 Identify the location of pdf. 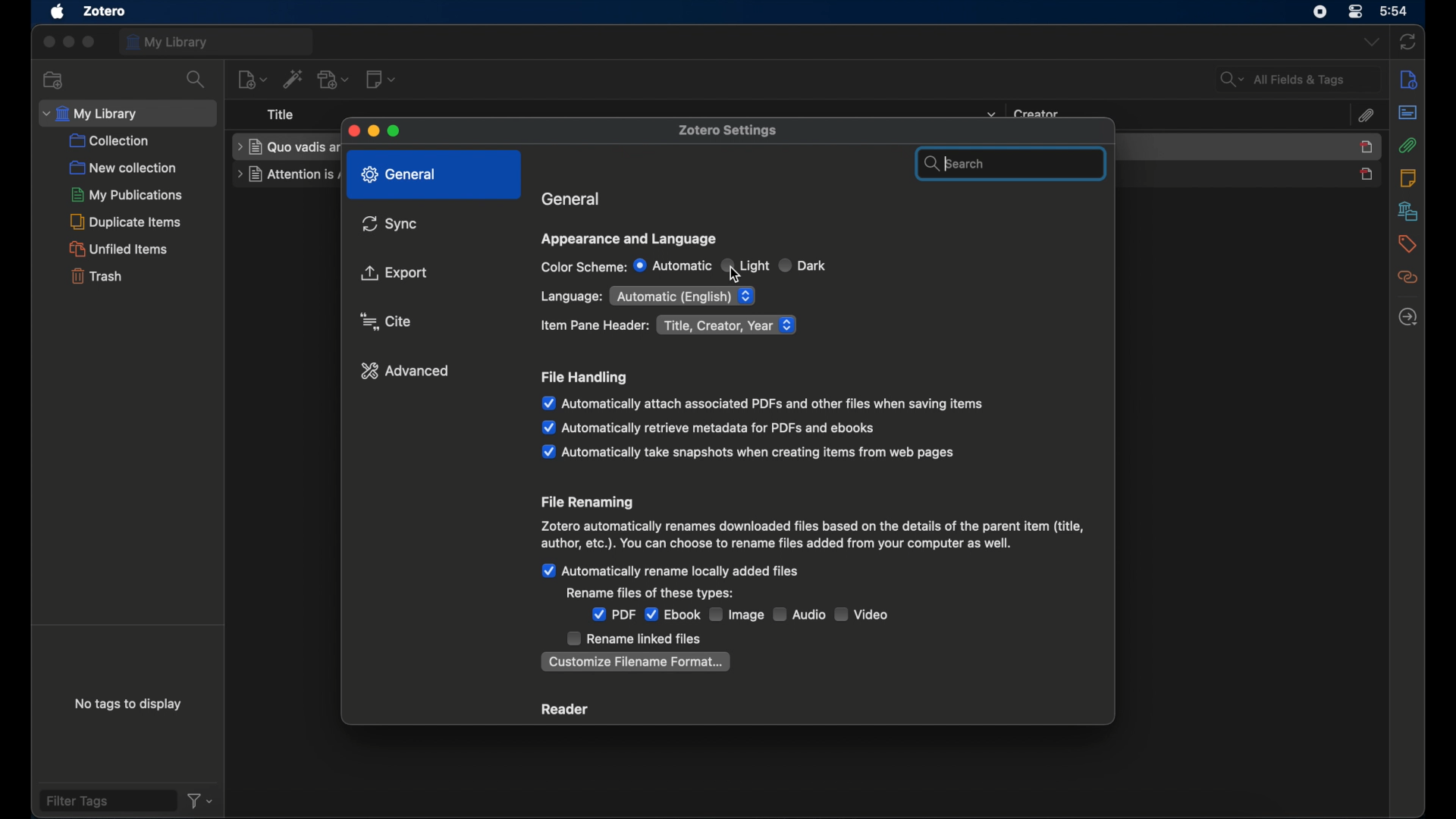
(615, 614).